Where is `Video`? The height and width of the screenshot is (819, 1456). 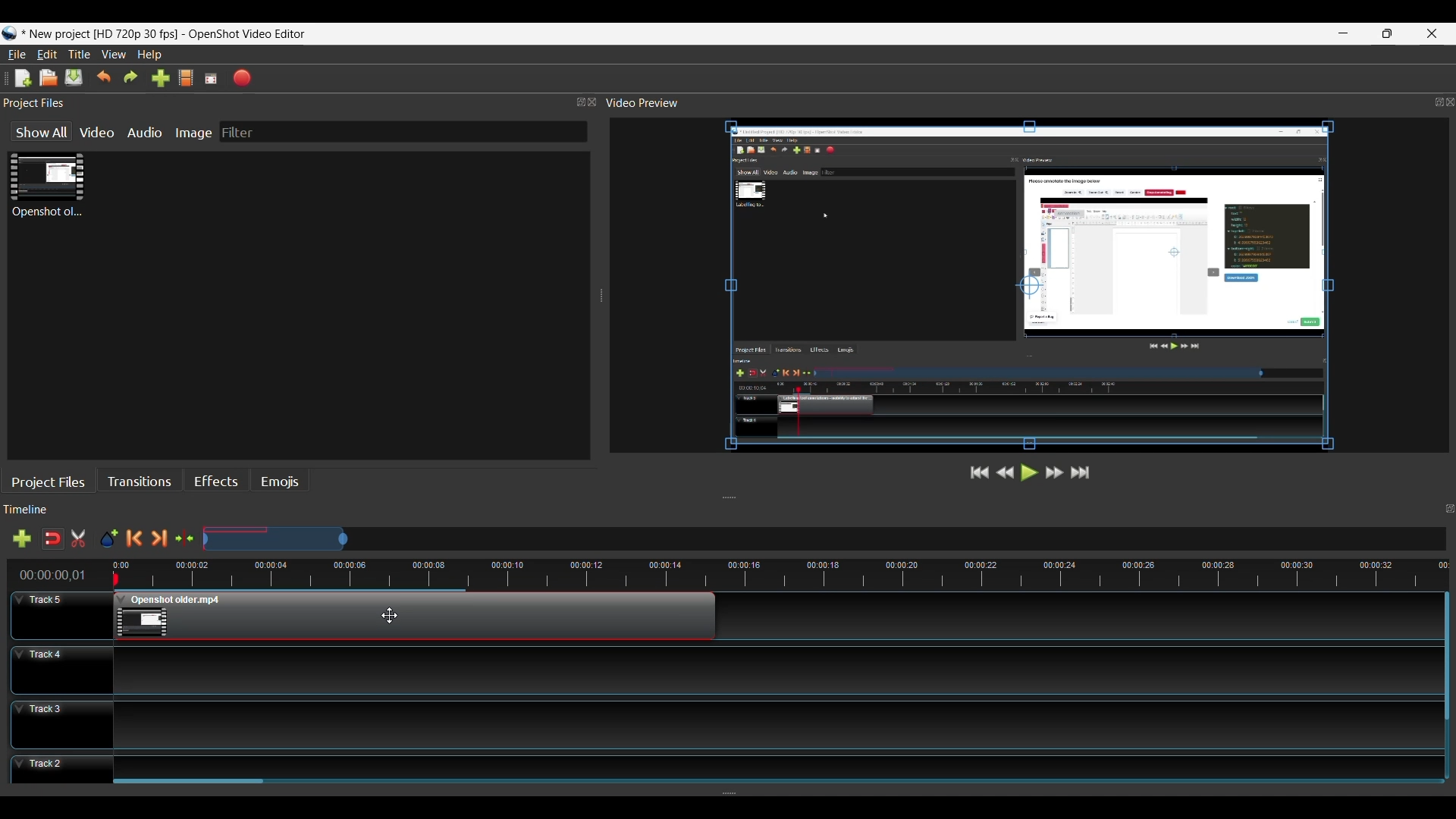 Video is located at coordinates (98, 133).